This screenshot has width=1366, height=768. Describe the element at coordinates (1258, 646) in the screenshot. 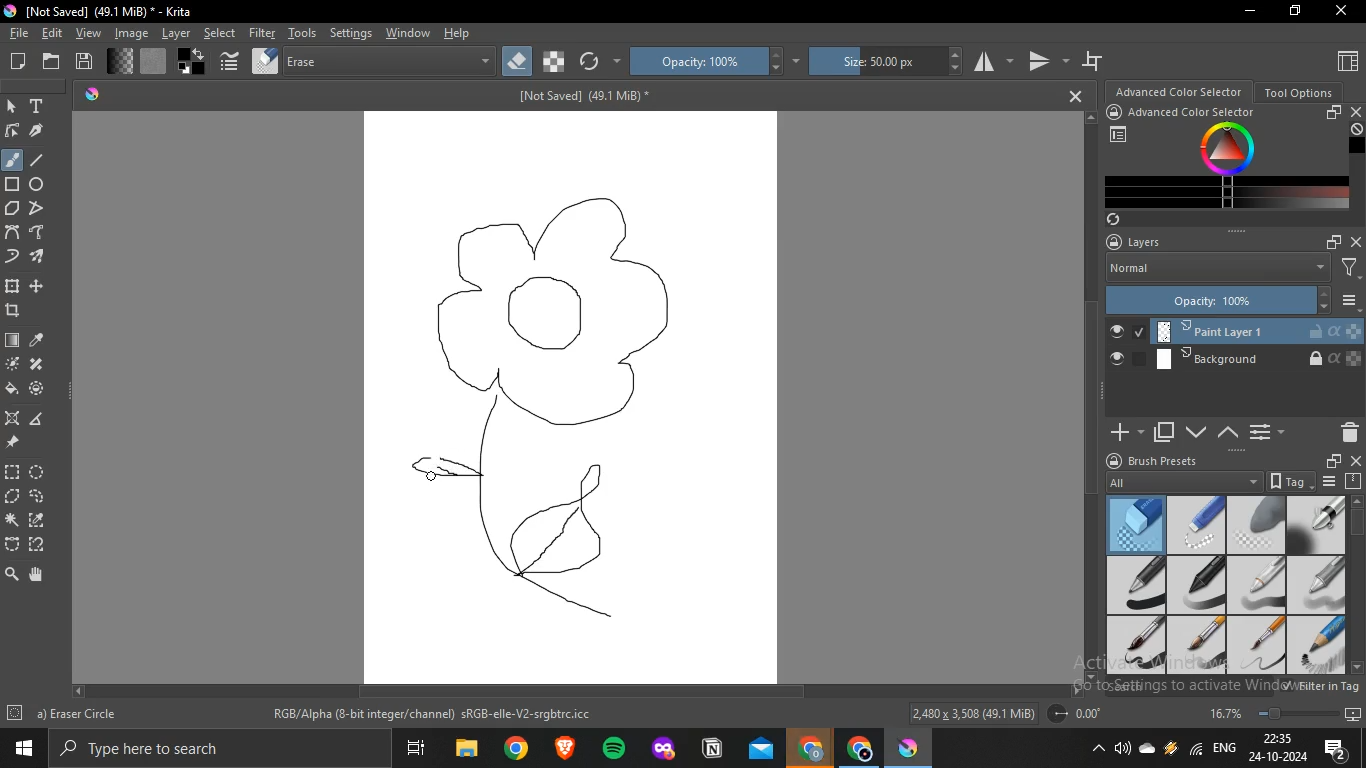

I see `basic 6 details` at that location.